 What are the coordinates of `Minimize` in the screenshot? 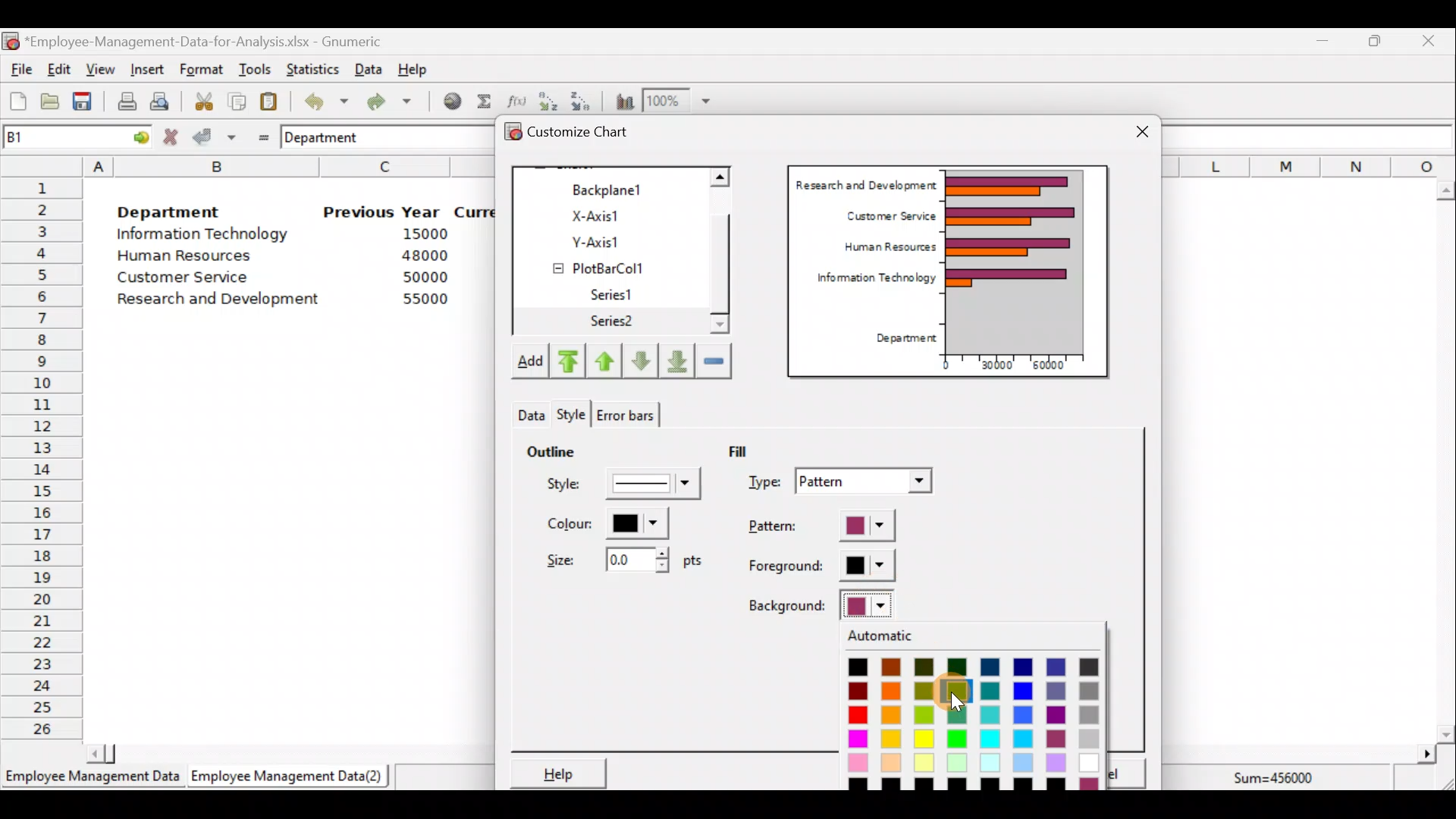 It's located at (1319, 44).